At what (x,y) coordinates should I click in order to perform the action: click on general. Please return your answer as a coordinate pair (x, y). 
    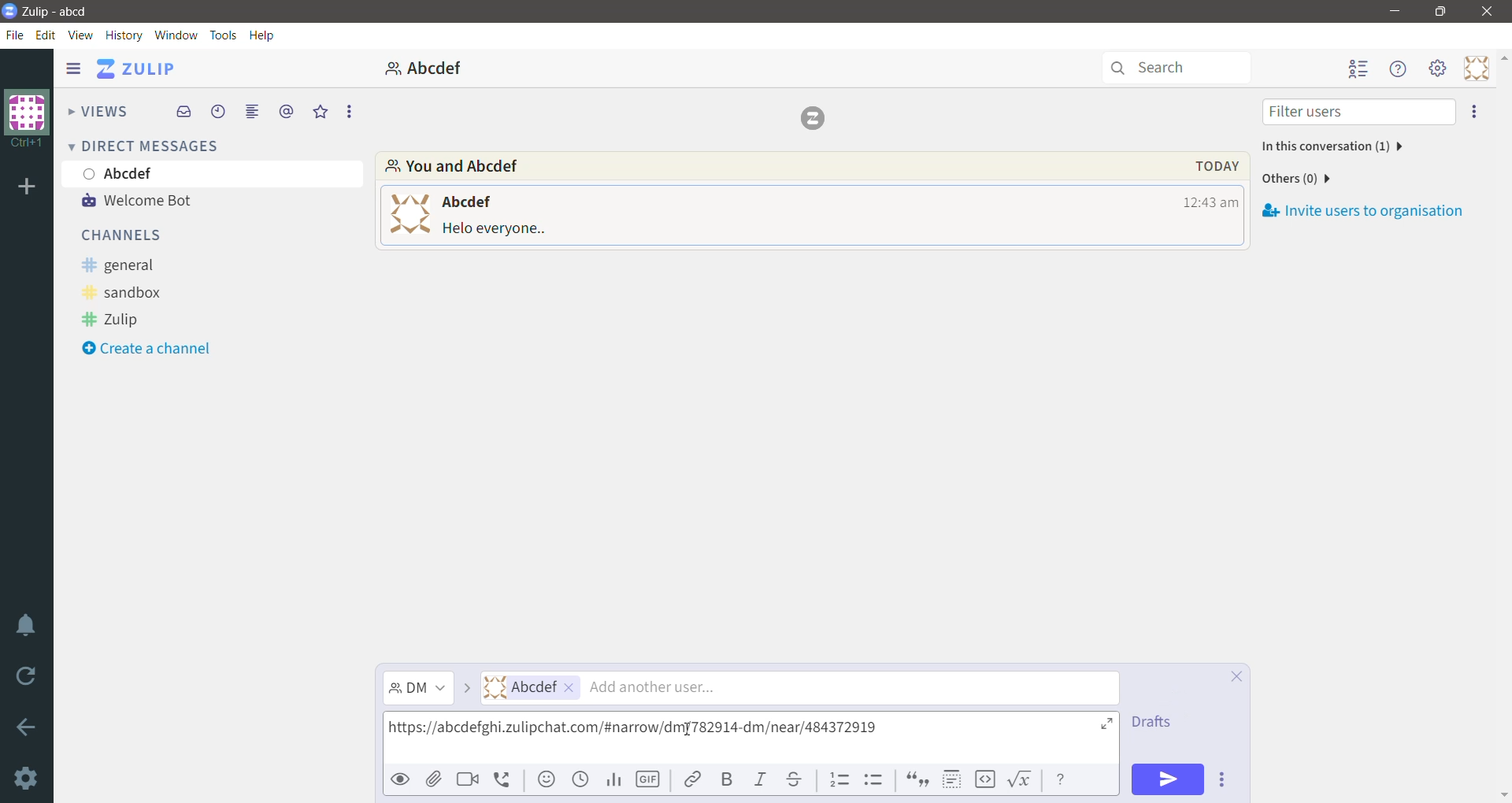
    Looking at the image, I should click on (130, 264).